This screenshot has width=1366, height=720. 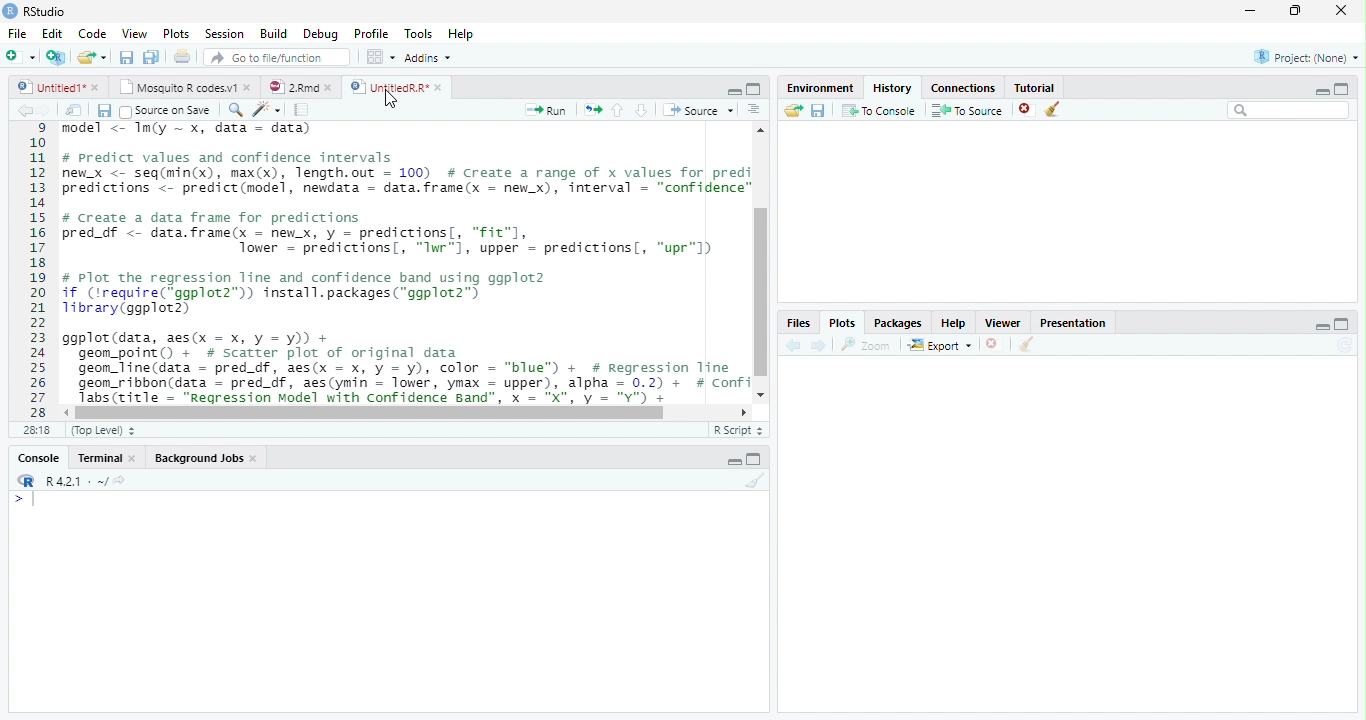 What do you see at coordinates (818, 113) in the screenshot?
I see `Save` at bounding box center [818, 113].